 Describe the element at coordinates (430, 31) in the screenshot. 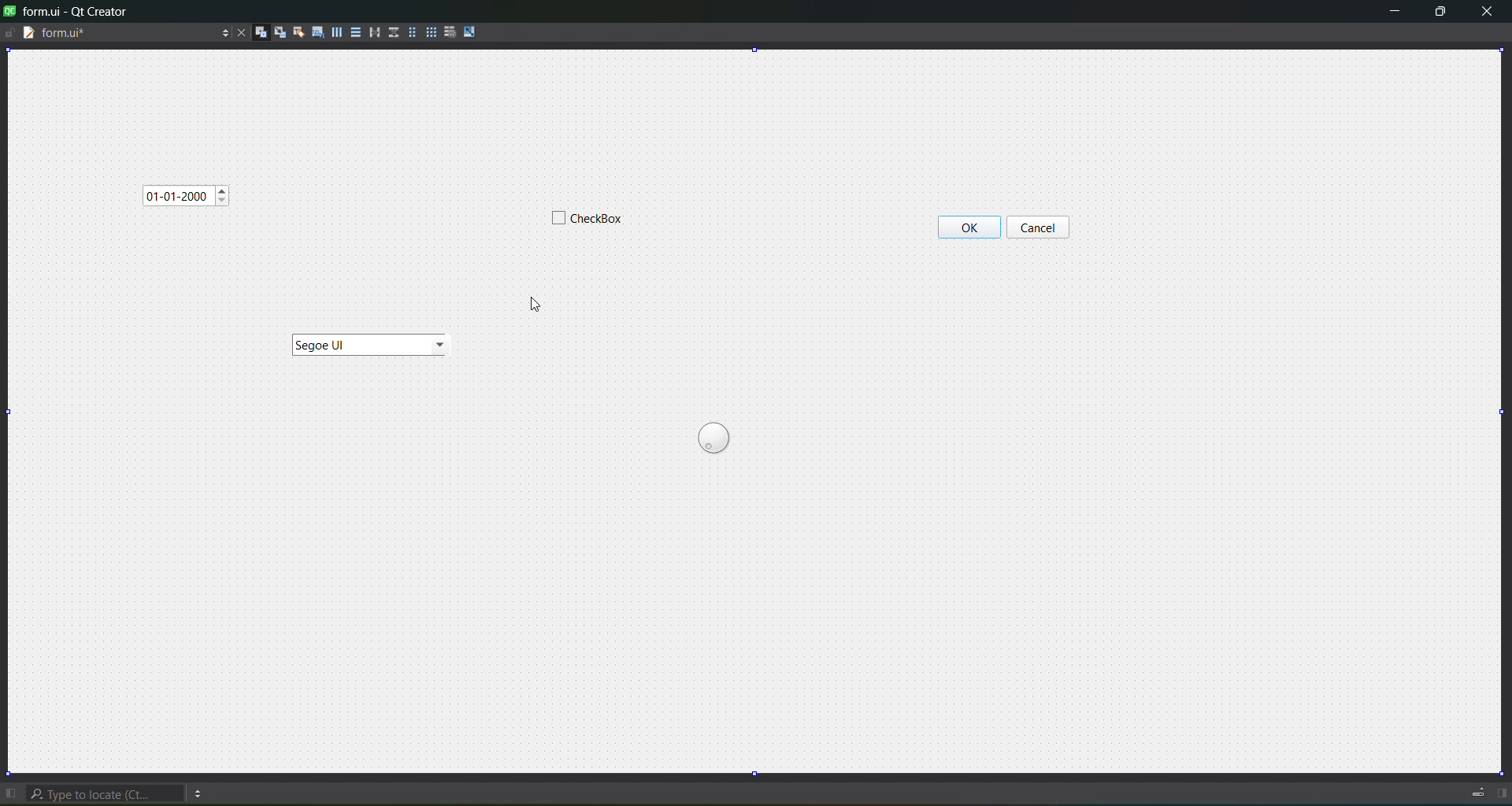

I see `layout in a grid` at that location.